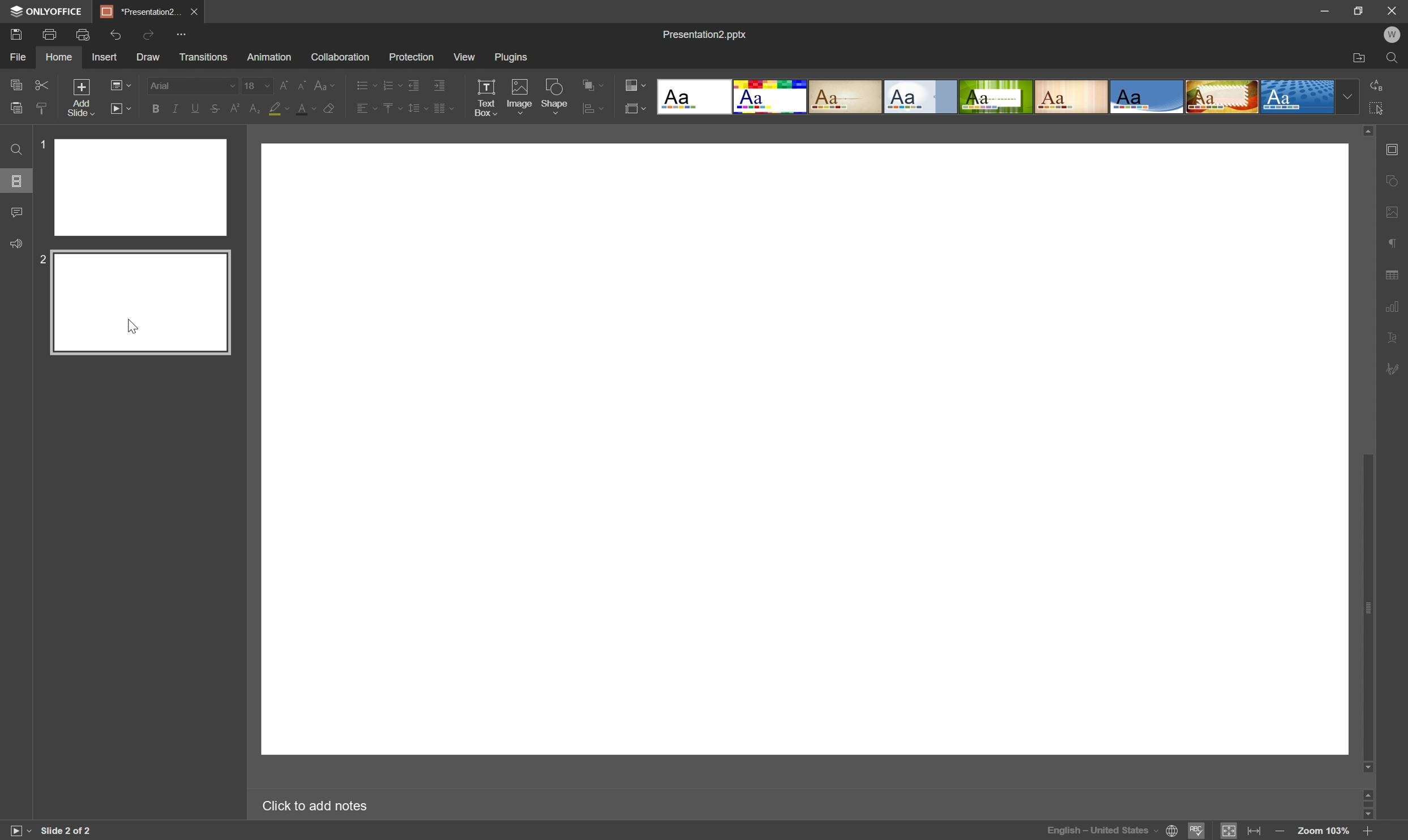 The height and width of the screenshot is (840, 1408). Describe the element at coordinates (519, 97) in the screenshot. I see `Image` at that location.